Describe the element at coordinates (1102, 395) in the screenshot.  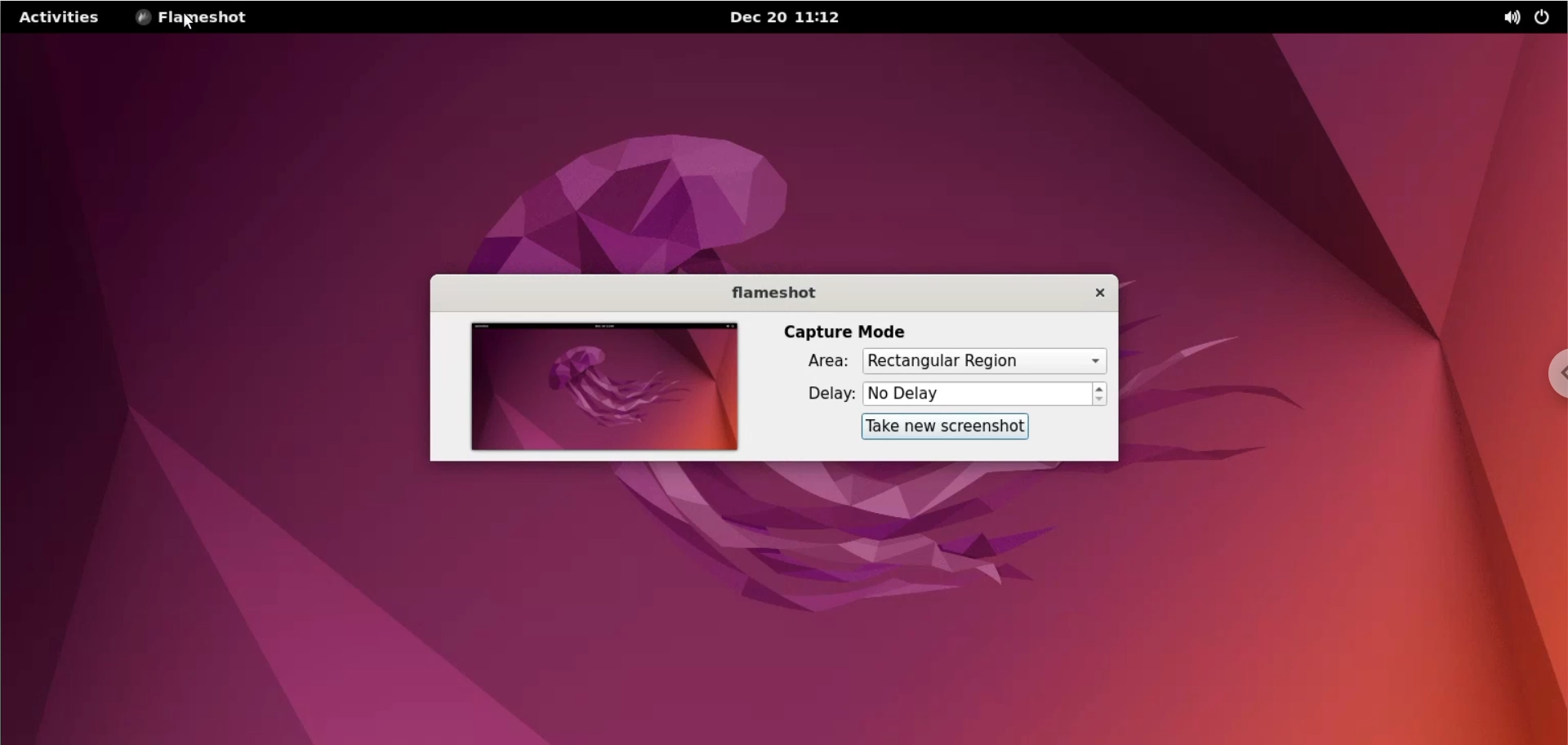
I see `increment or decrement delay` at that location.